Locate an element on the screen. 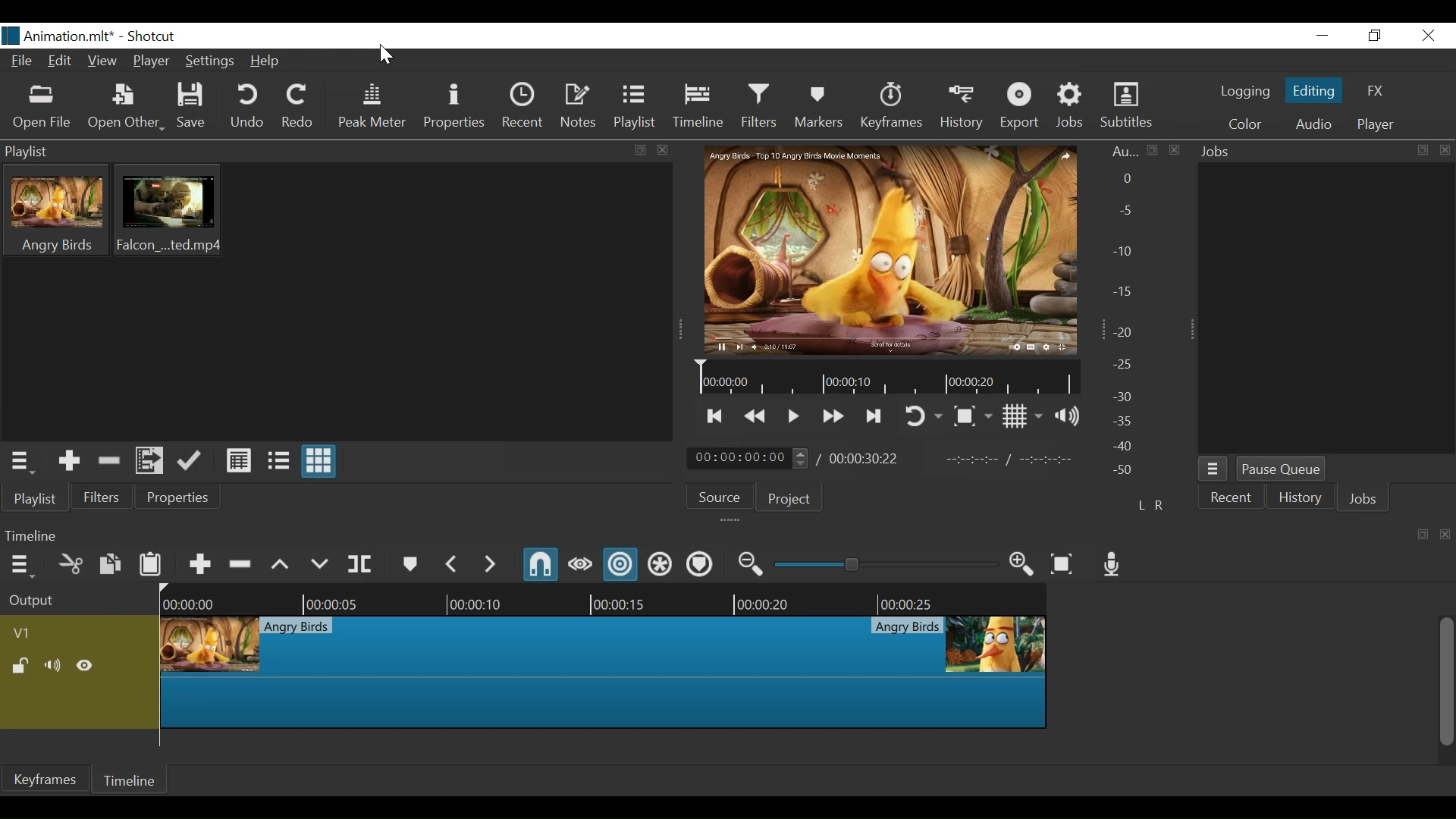 The image size is (1456, 819). Update is located at coordinates (192, 461).